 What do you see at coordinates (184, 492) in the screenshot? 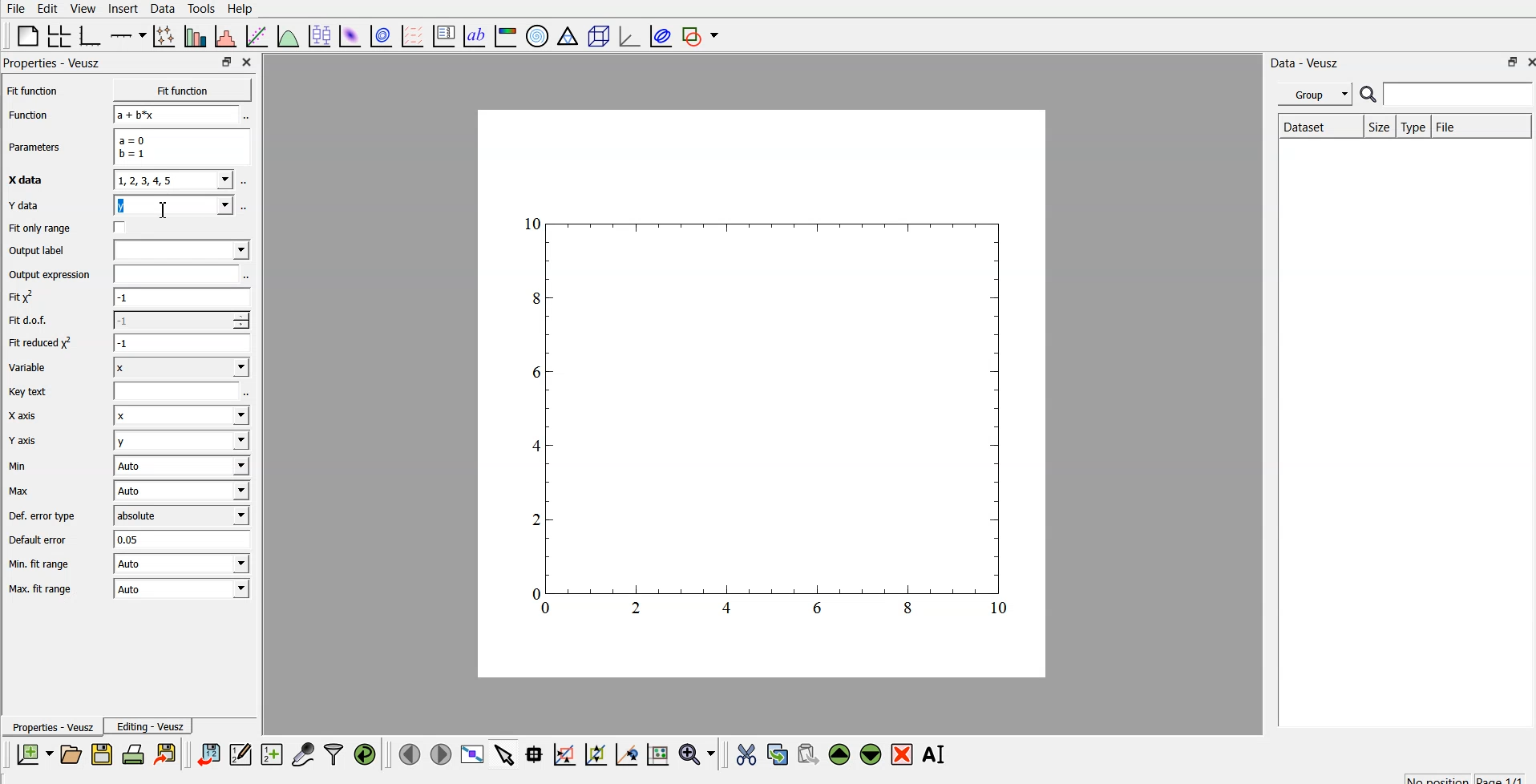
I see `Auto` at bounding box center [184, 492].